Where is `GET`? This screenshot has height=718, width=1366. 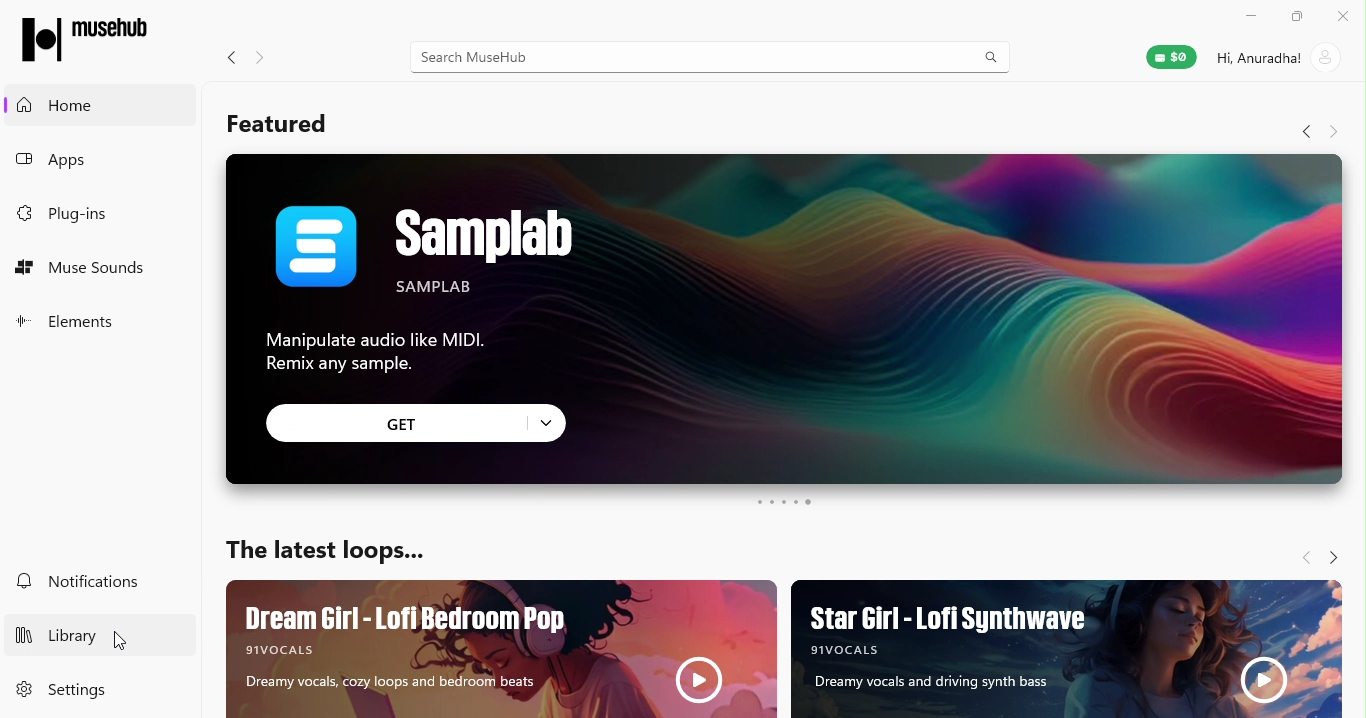 GET is located at coordinates (418, 423).